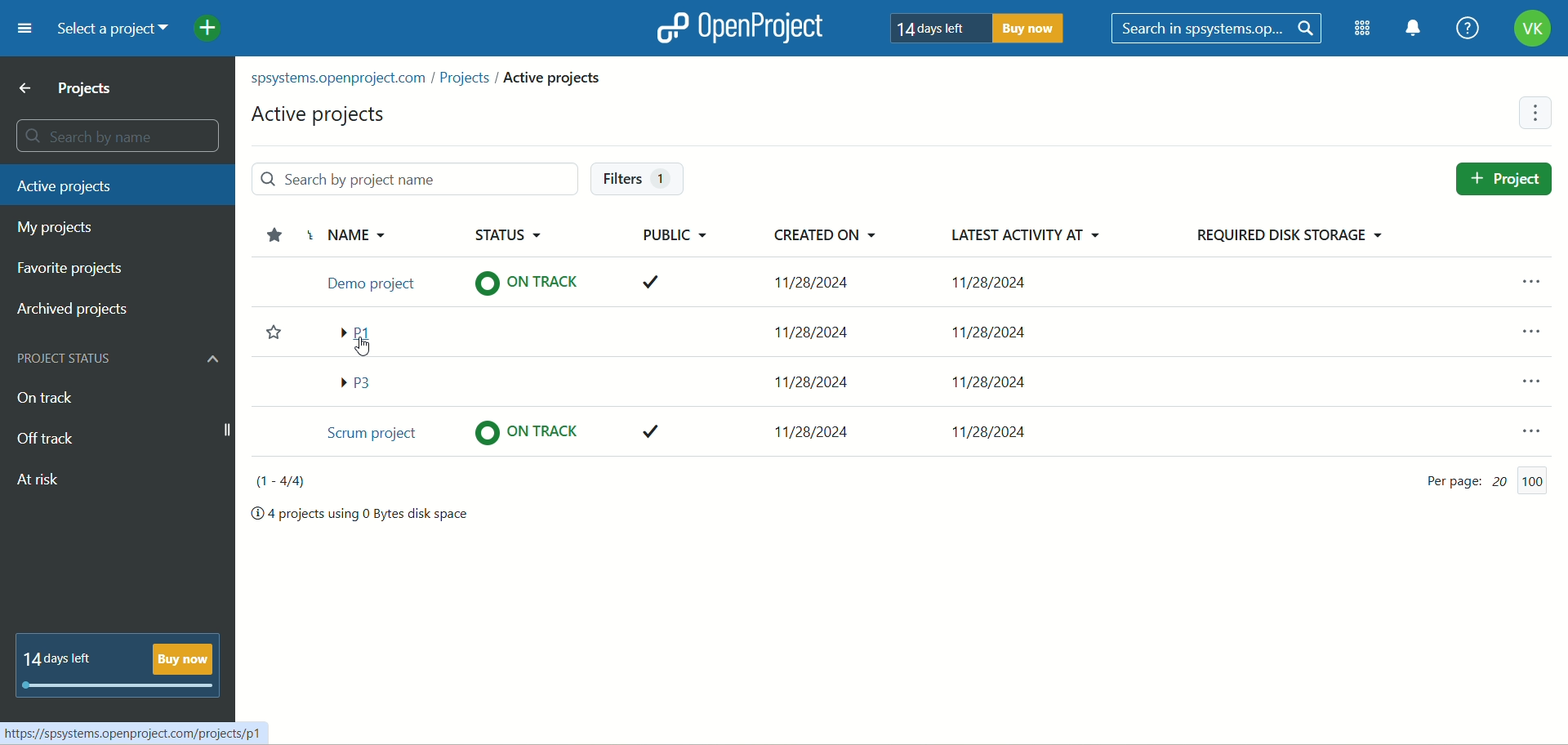 The height and width of the screenshot is (745, 1568). Describe the element at coordinates (805, 379) in the screenshot. I see `11/28/2024` at that location.